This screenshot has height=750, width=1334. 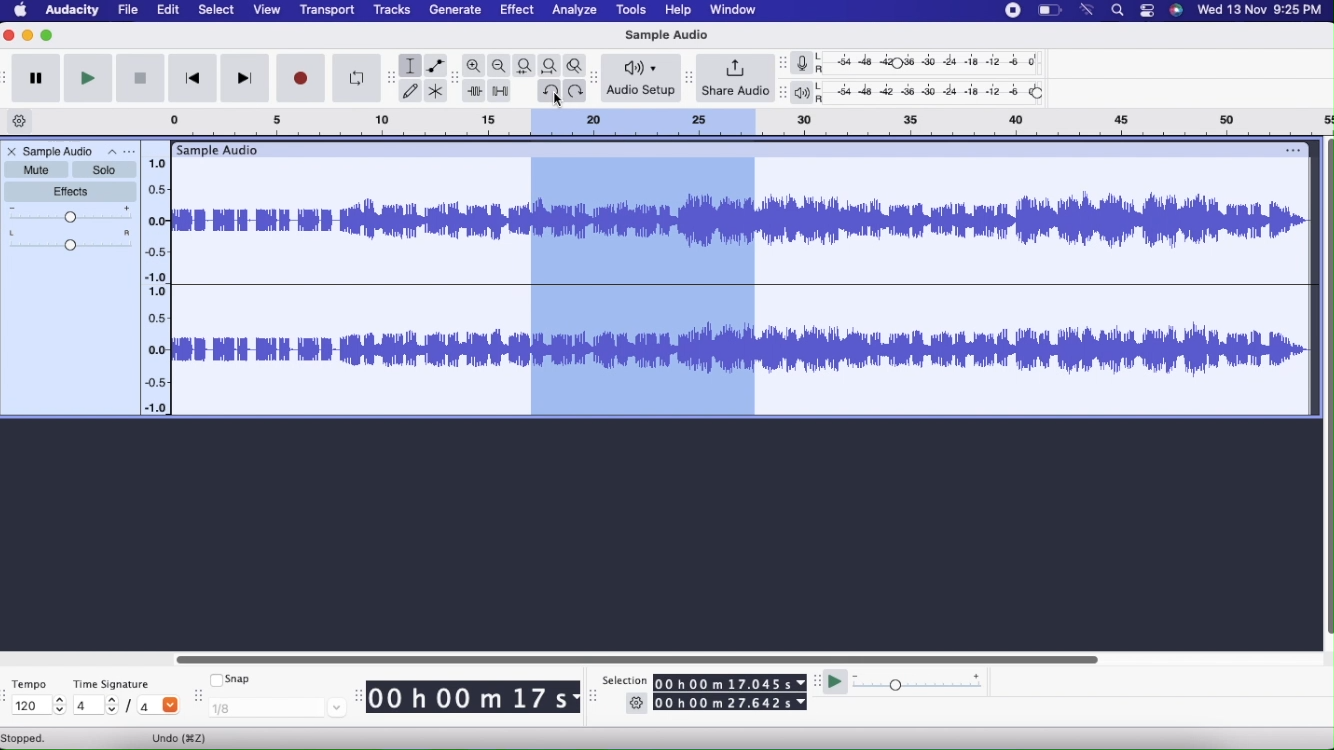 What do you see at coordinates (735, 79) in the screenshot?
I see `Share audio` at bounding box center [735, 79].